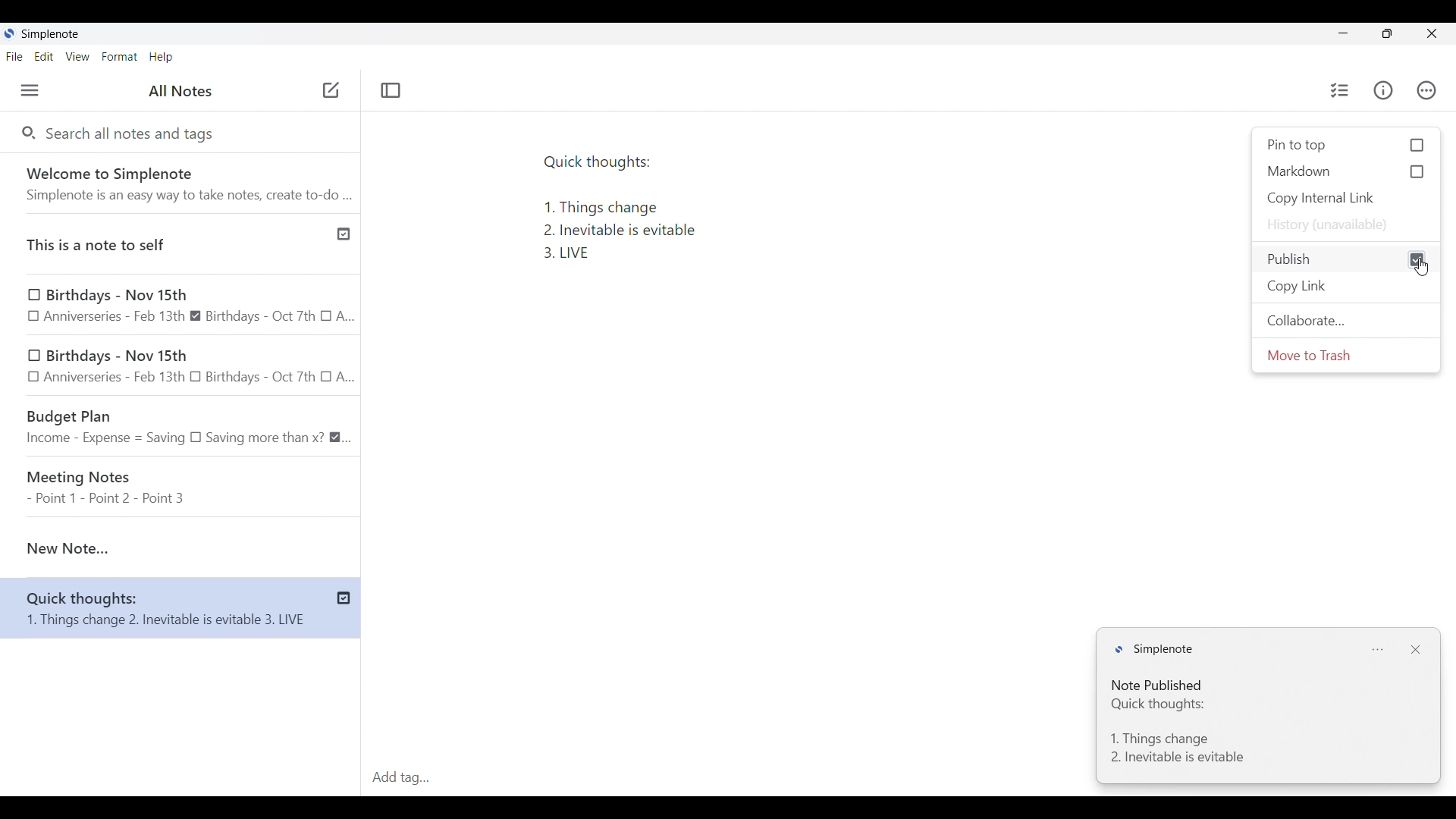 The width and height of the screenshot is (1456, 819). I want to click on Actions, so click(1426, 89).